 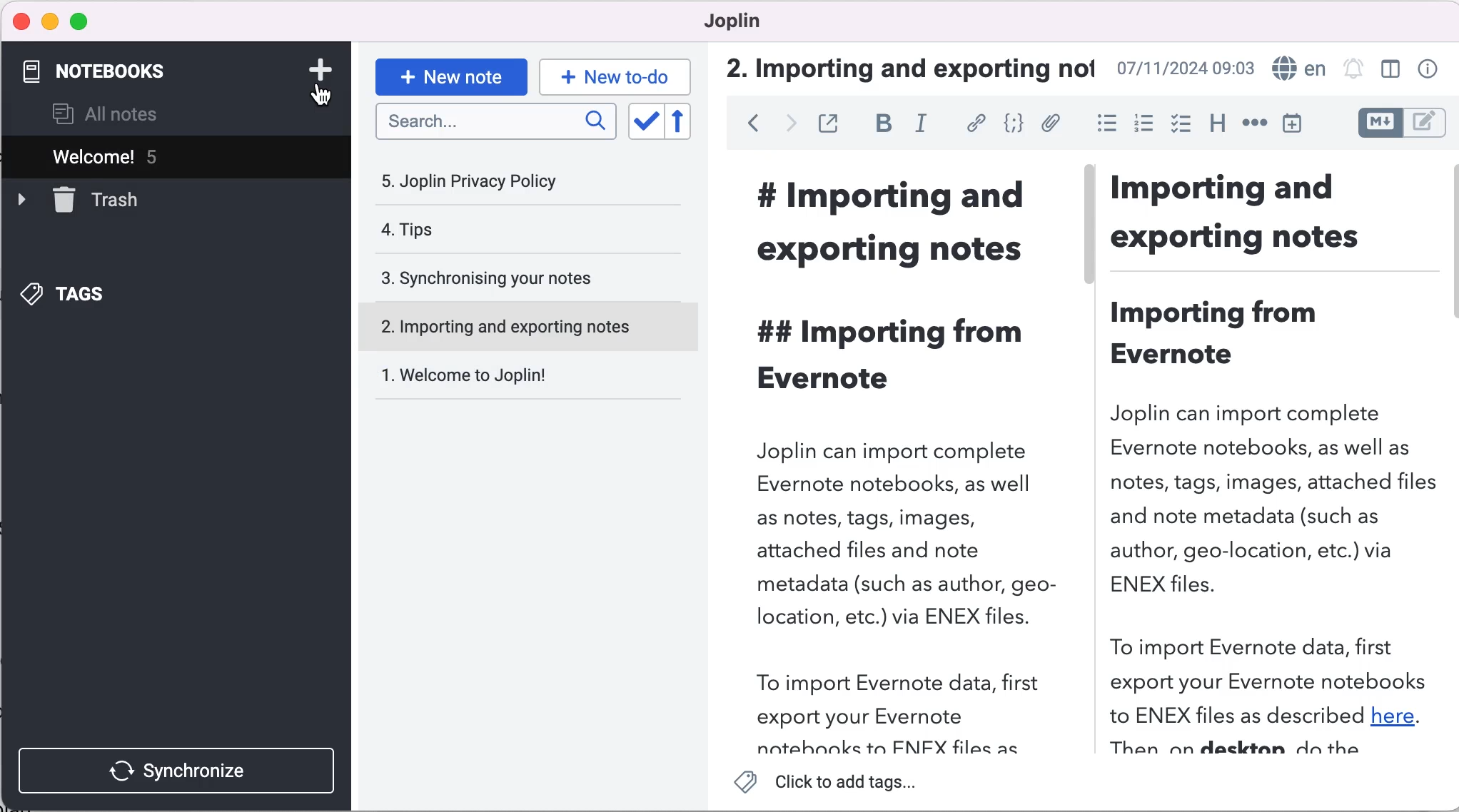 I want to click on # Importing andexporting notes## Importing fromEvernoteJoplin can import completeEvernote notebooks, as wellas notes, tags, images,attached files and notemetadata (such as author, geo-location, etc.) via ENEX files.To import Evernote data, firstexport your Evernotenatehnnkes ta FNIFX files as, so click(x=892, y=457).